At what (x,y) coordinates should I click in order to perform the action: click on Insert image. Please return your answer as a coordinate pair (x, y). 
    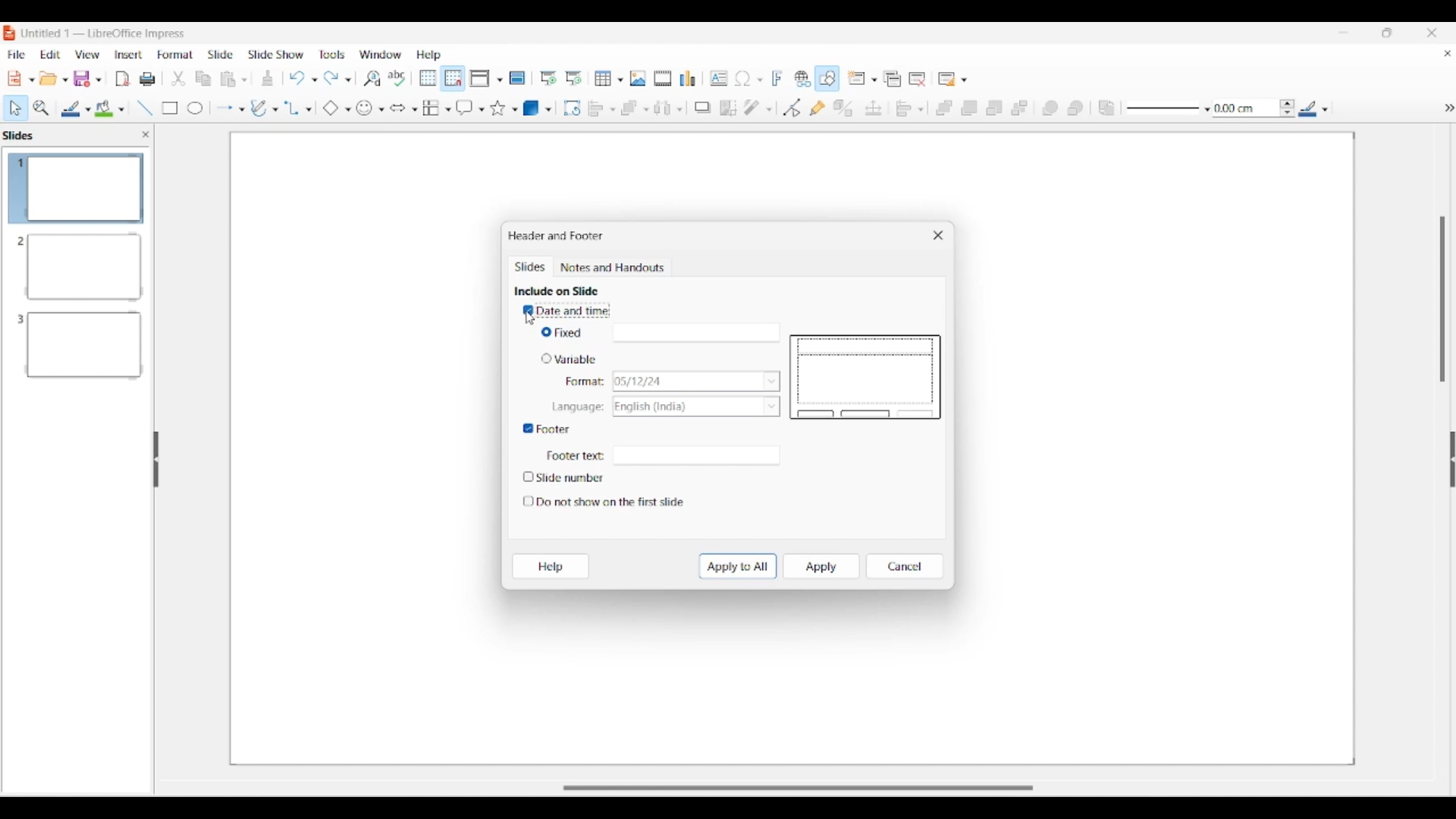
    Looking at the image, I should click on (638, 78).